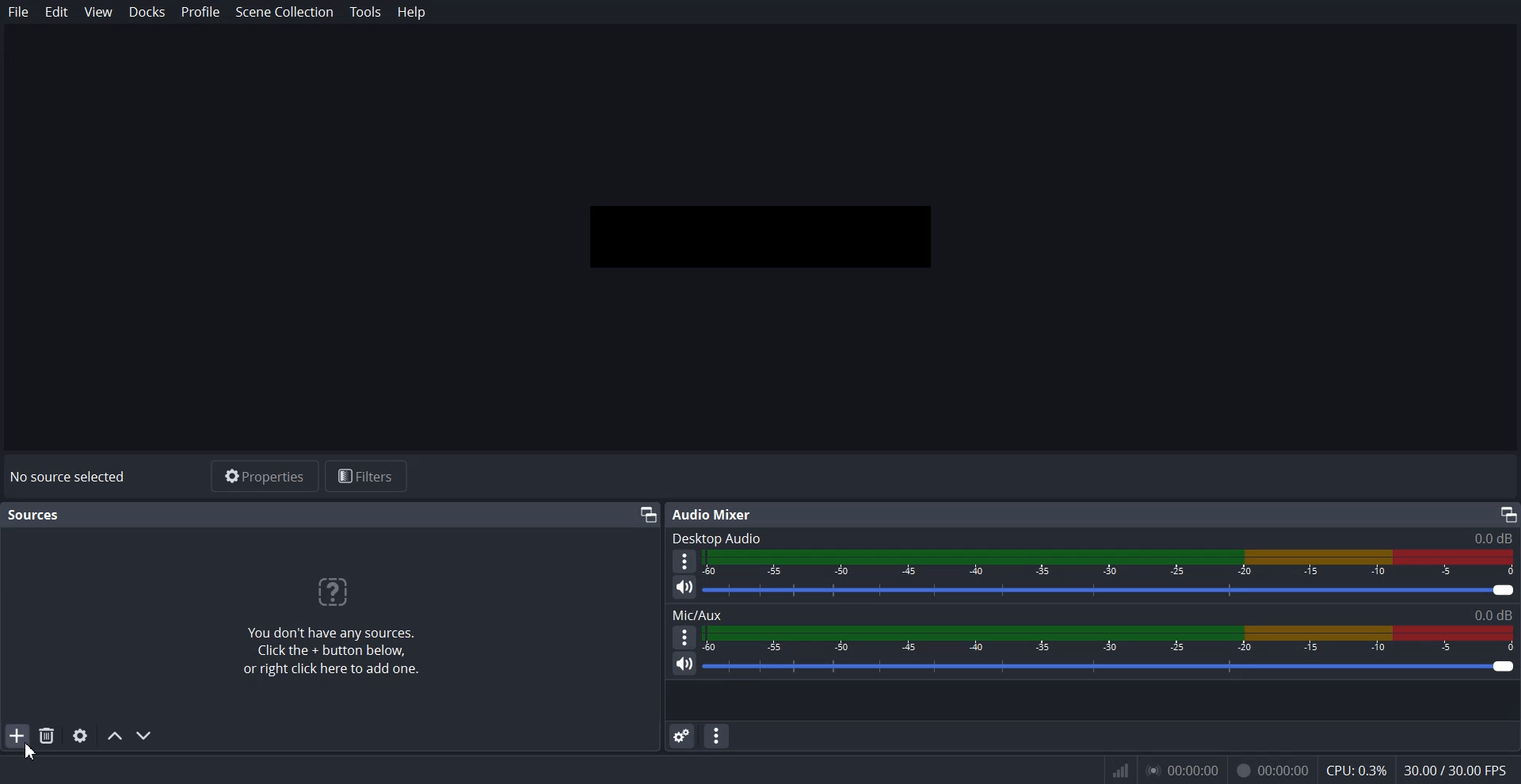 This screenshot has width=1521, height=784. What do you see at coordinates (1121, 771) in the screenshot?
I see `Inf` at bounding box center [1121, 771].